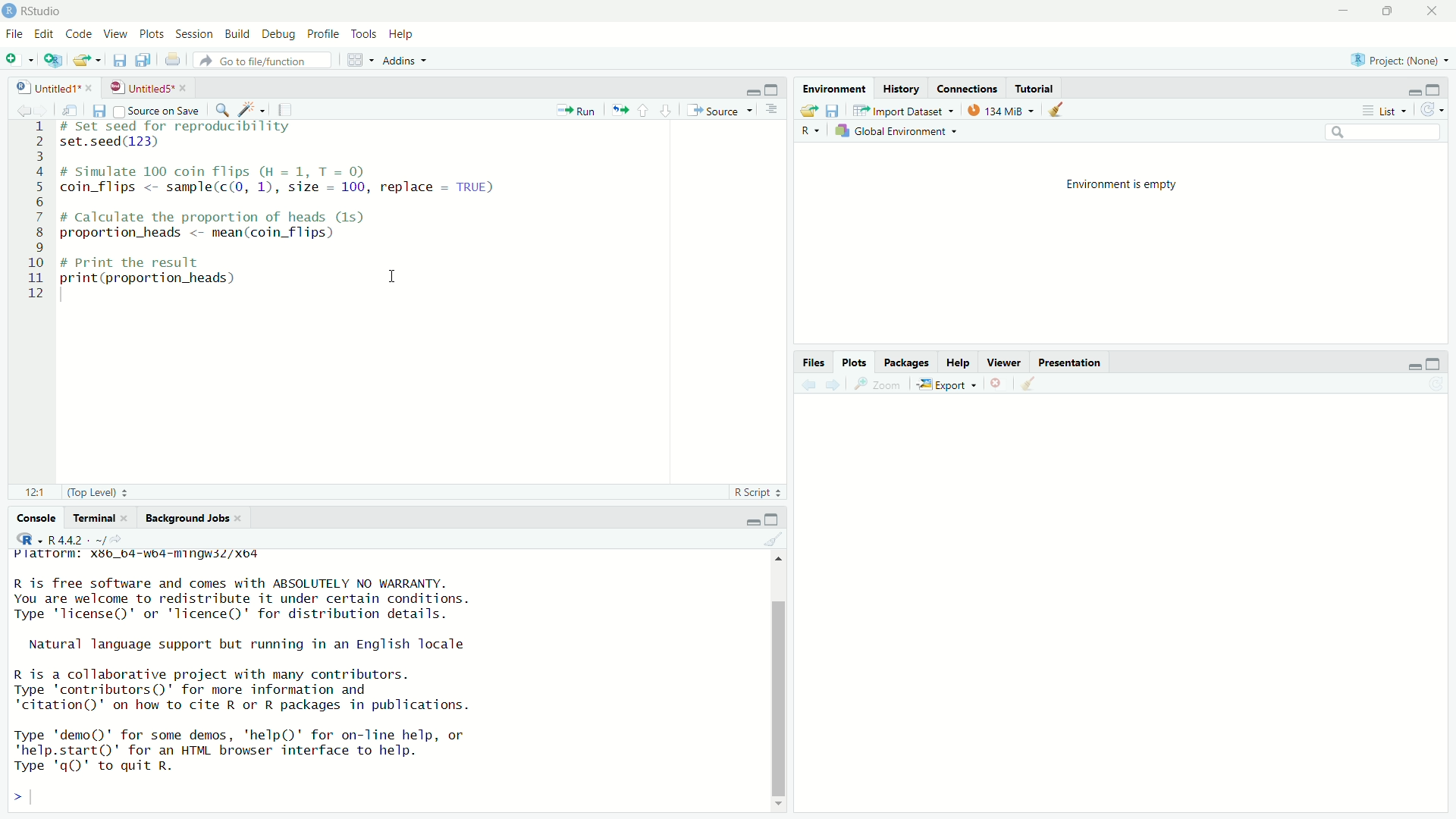  Describe the element at coordinates (883, 387) in the screenshot. I see `view a larger version of the plot in new window` at that location.